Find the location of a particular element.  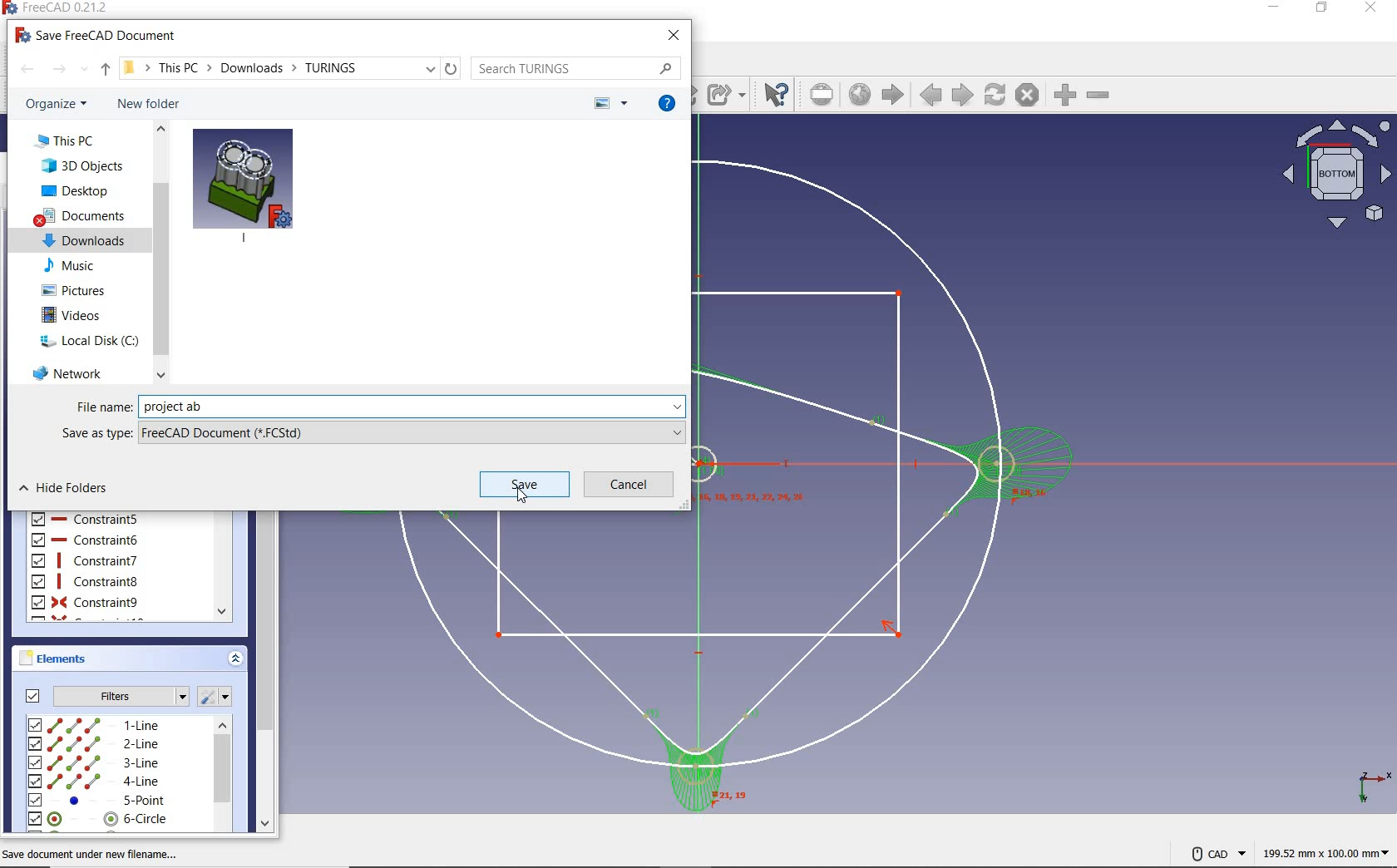

desktop is located at coordinates (76, 191).